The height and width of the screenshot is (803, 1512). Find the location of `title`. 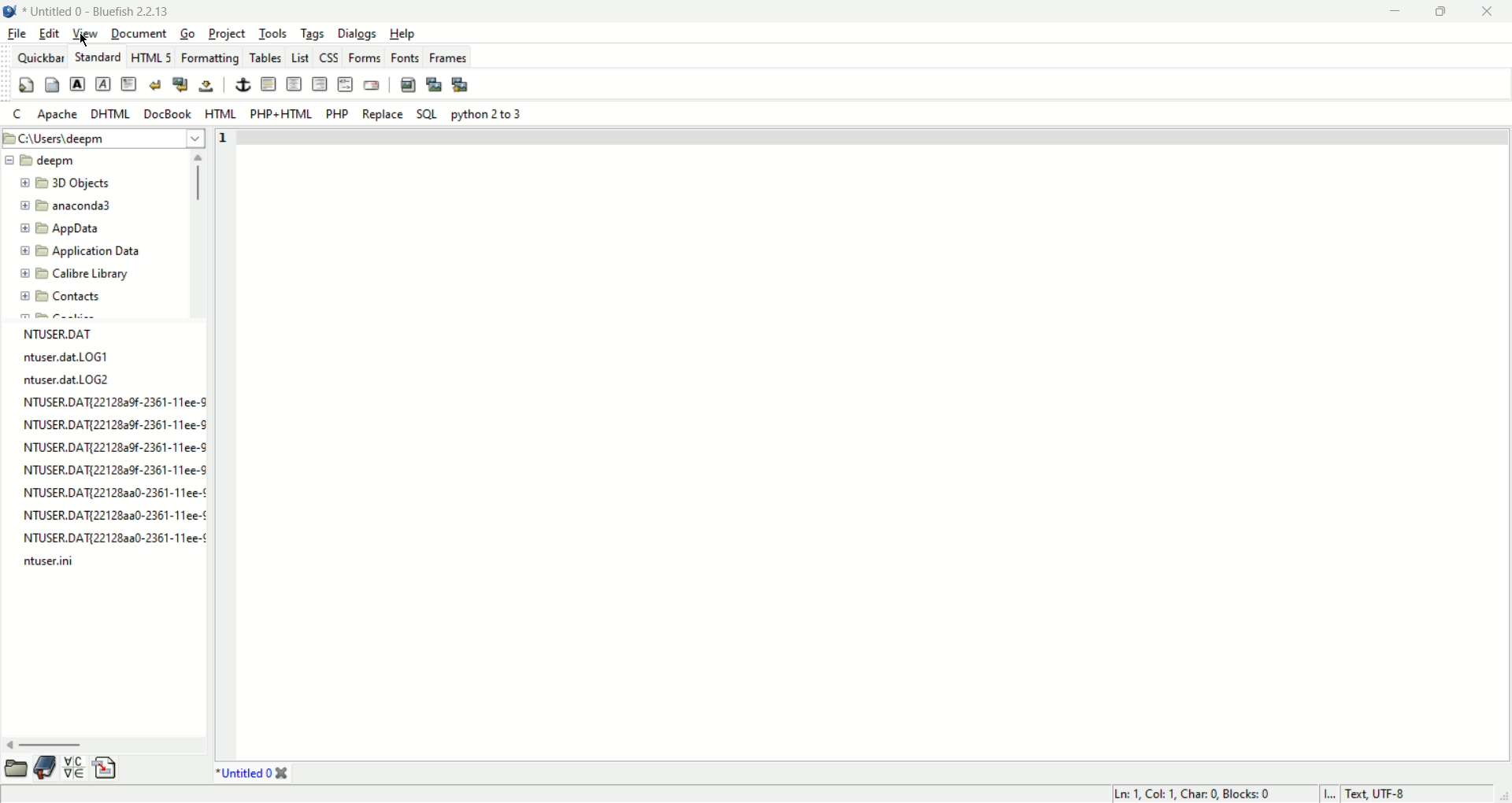

title is located at coordinates (251, 774).